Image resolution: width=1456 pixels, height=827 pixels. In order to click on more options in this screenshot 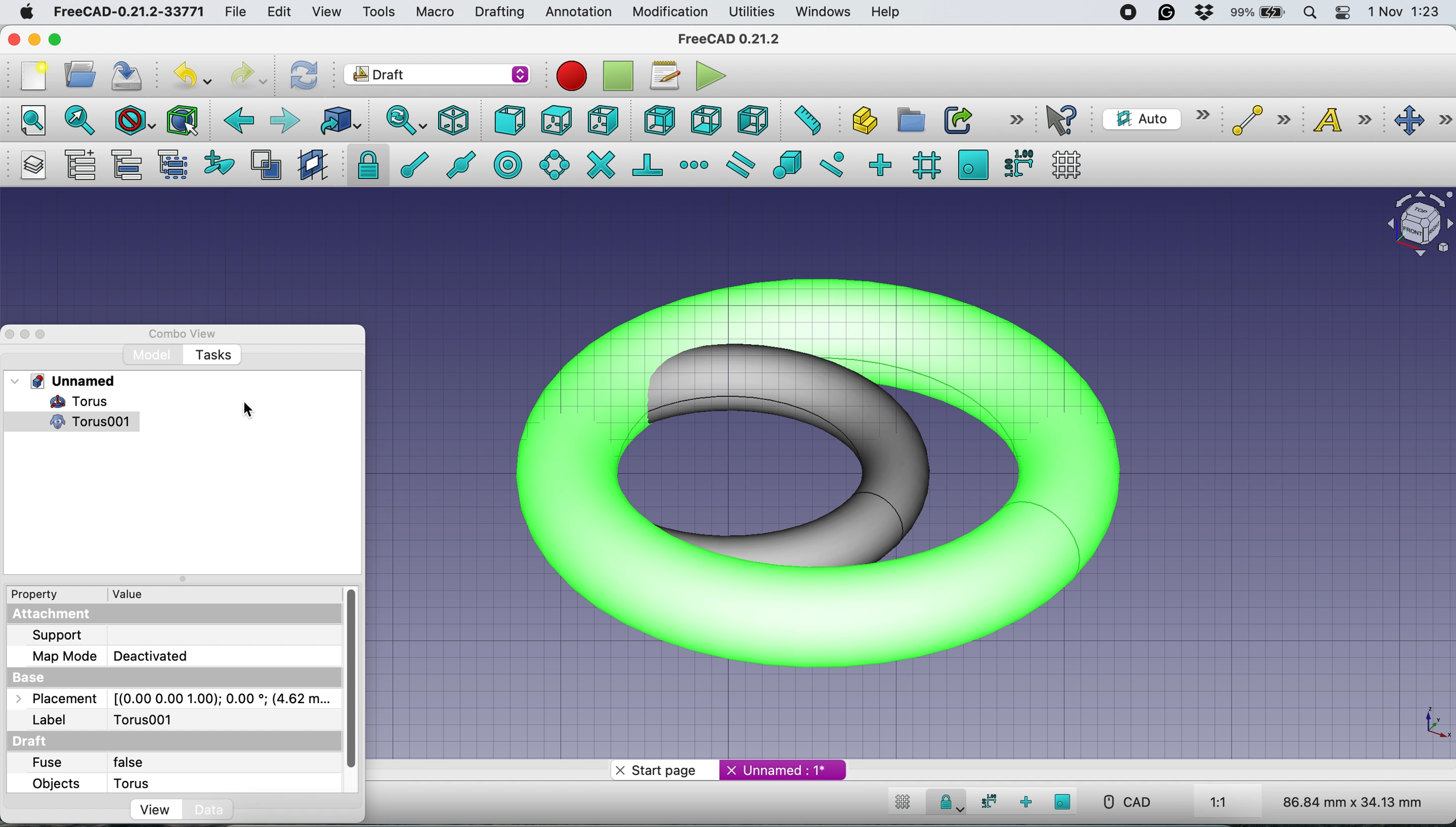, I will do `click(1014, 120)`.